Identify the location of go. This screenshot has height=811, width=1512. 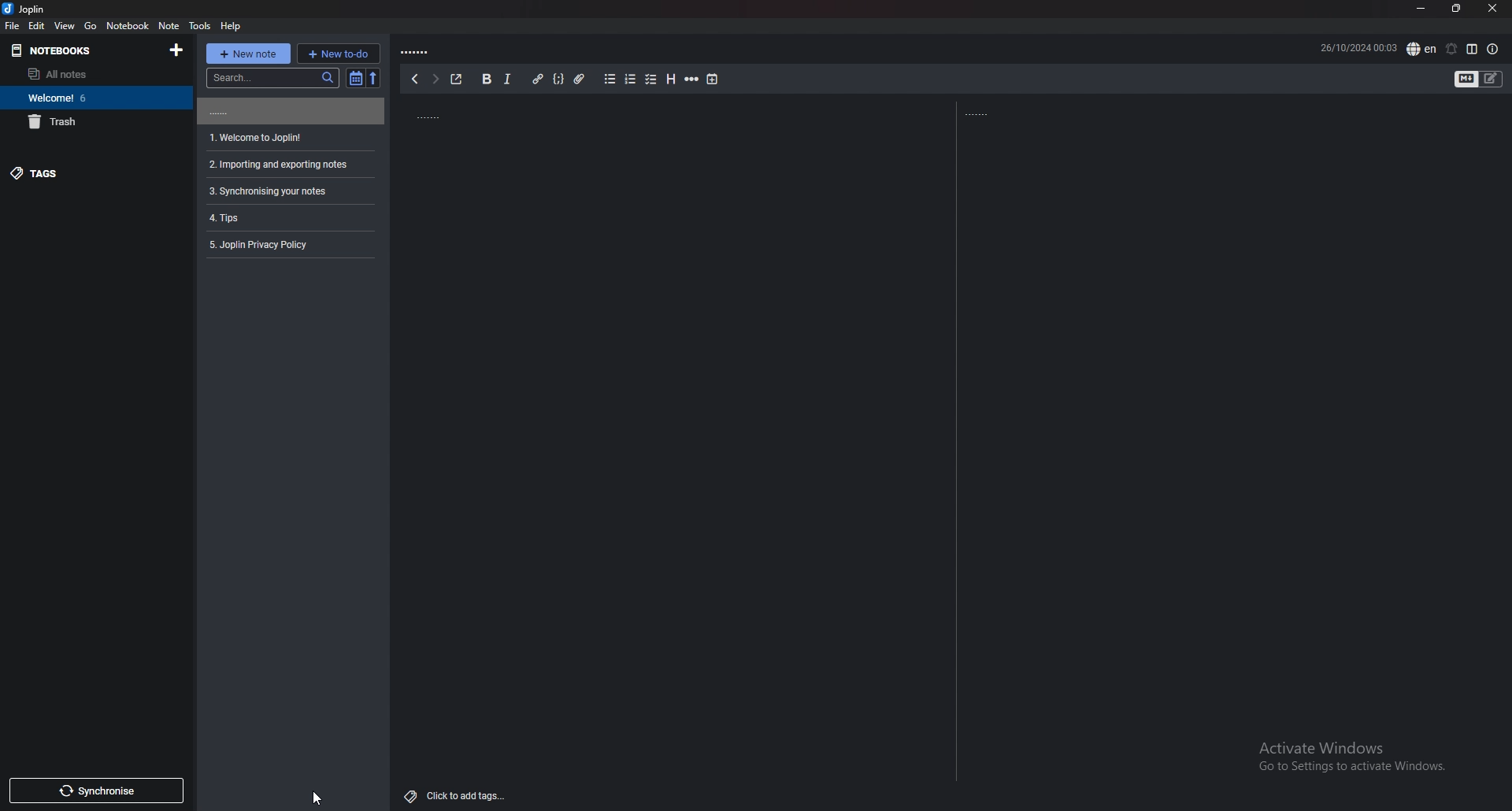
(91, 26).